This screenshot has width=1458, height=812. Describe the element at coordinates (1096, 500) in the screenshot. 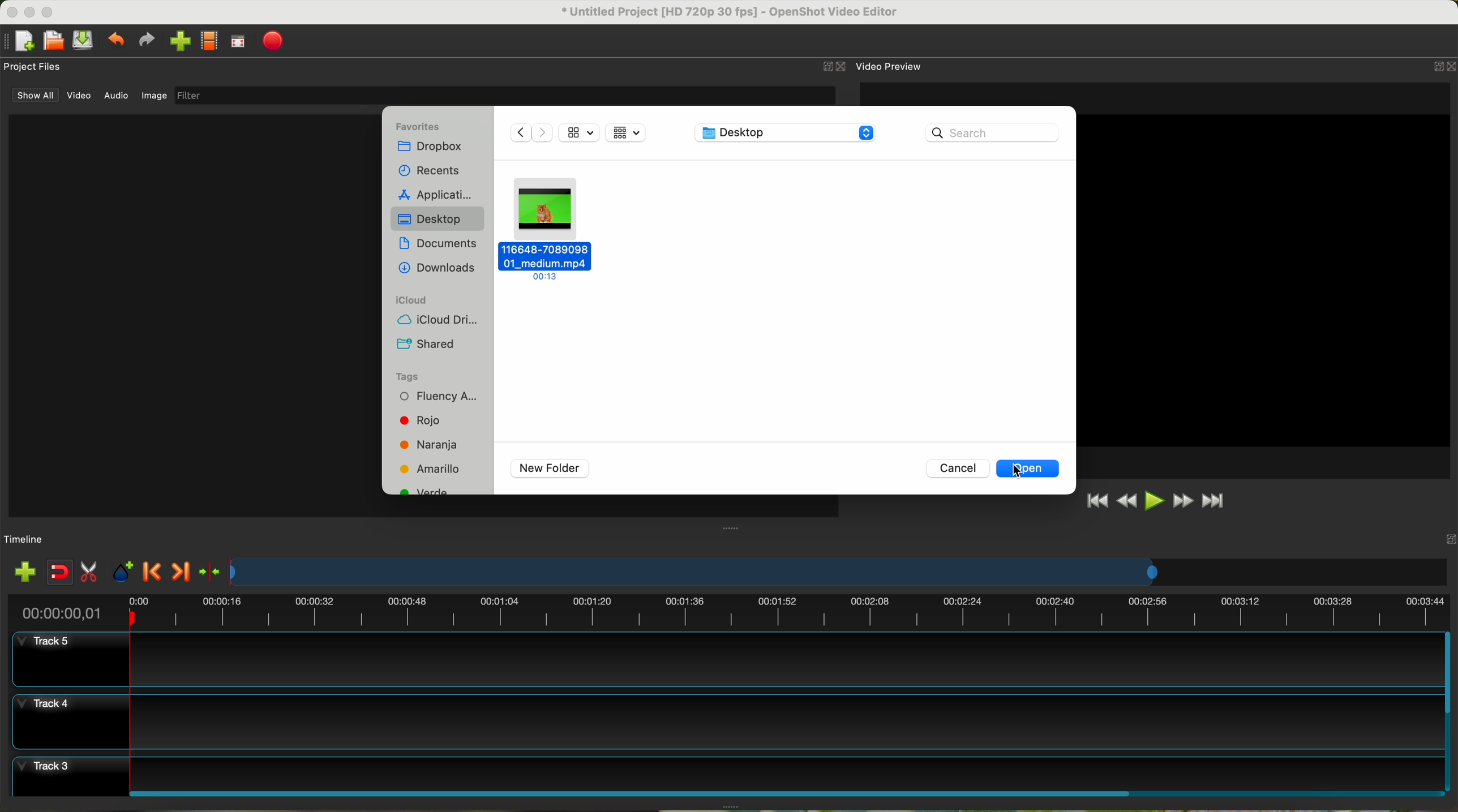

I see `jump to start` at that location.